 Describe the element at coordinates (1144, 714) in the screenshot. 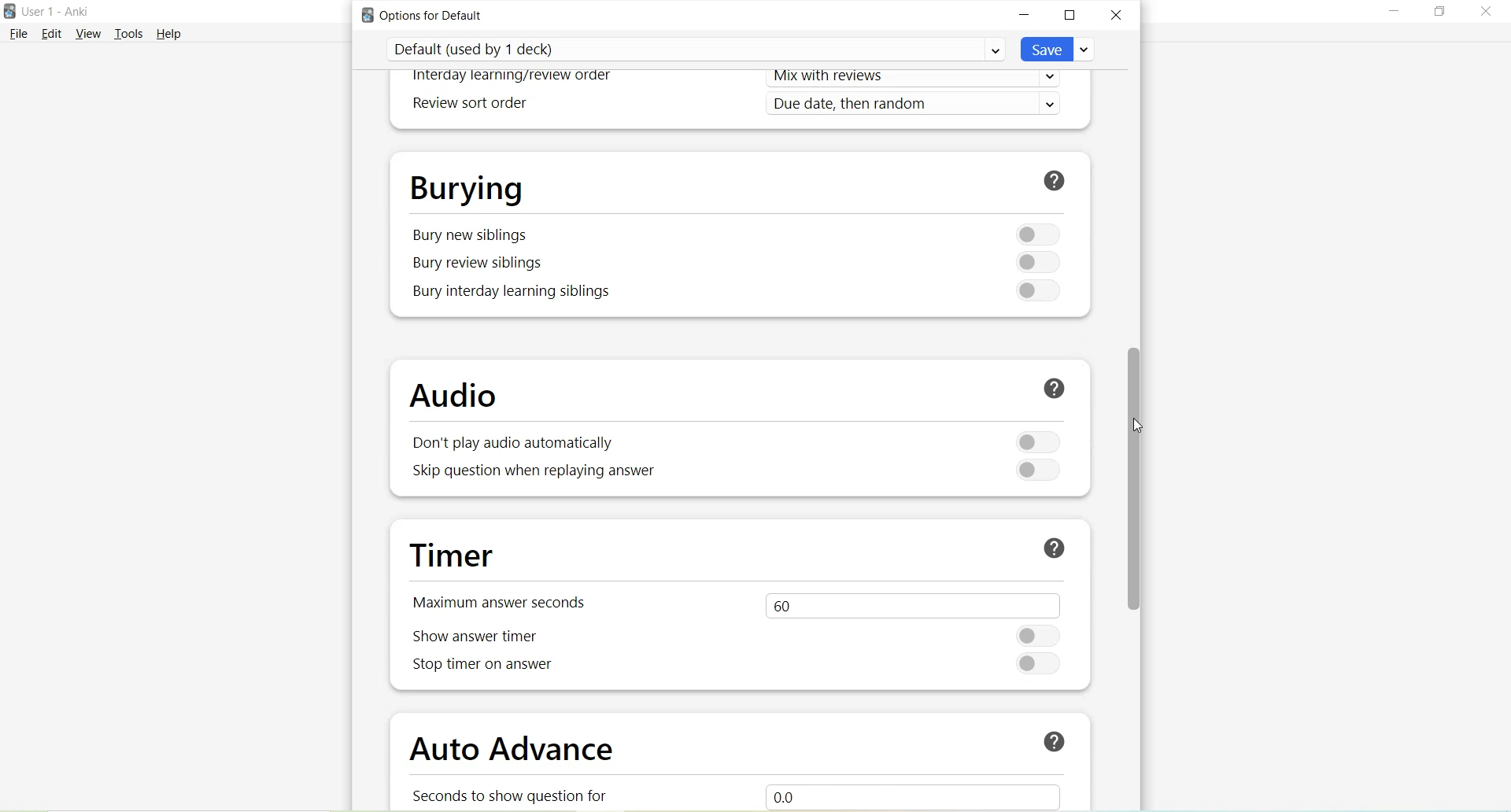

I see `Scroll` at that location.